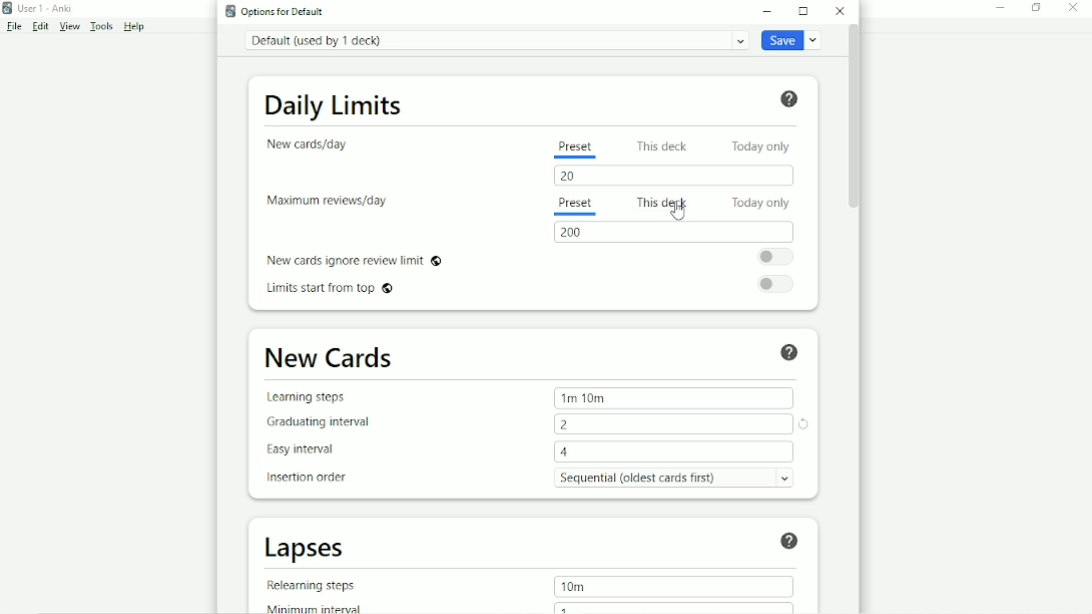 The width and height of the screenshot is (1092, 614). Describe the element at coordinates (779, 256) in the screenshot. I see `Toggle on/off` at that location.